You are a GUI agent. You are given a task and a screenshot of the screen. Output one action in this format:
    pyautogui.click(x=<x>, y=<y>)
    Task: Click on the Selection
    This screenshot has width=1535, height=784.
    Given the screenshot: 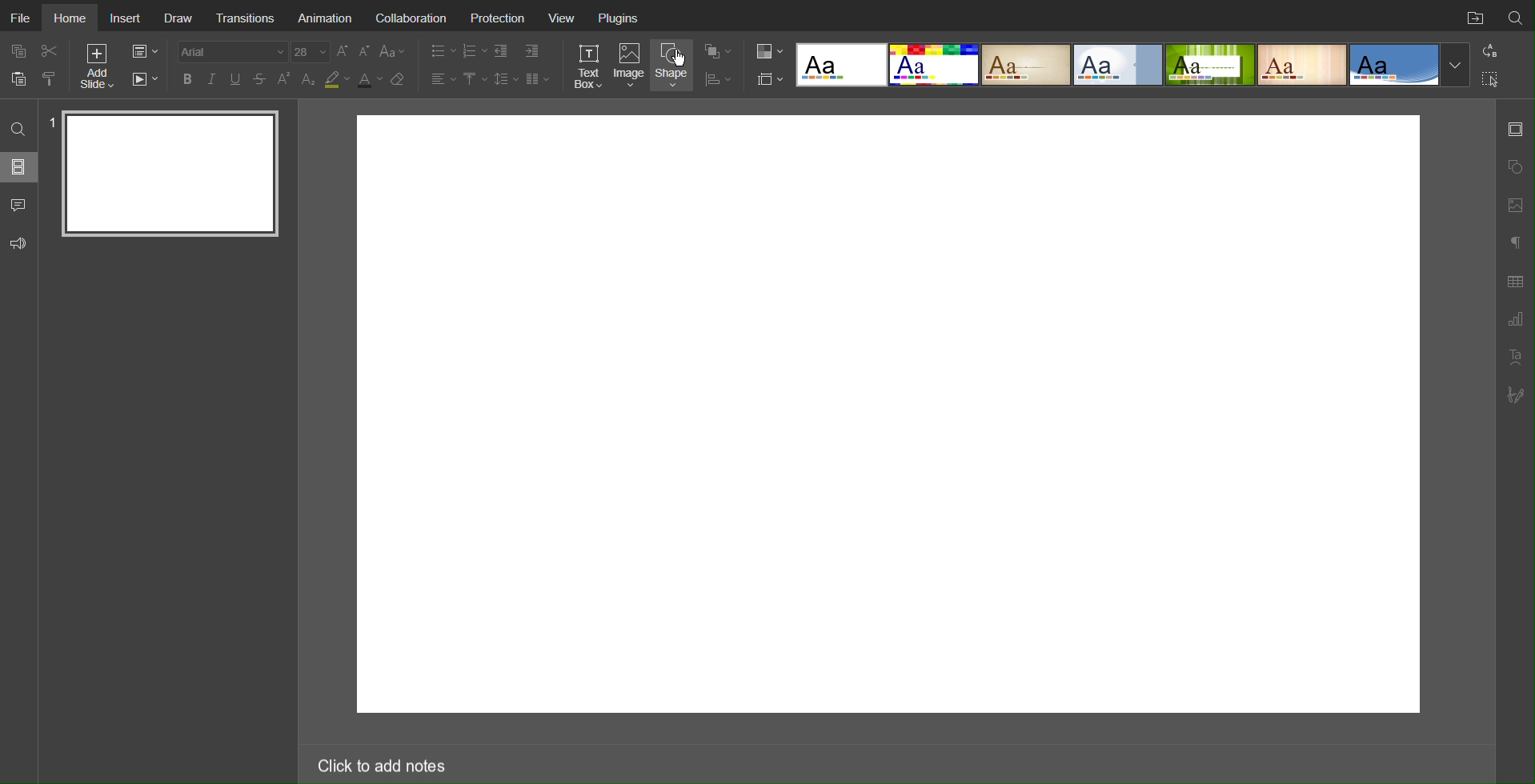 What is the action you would take?
    pyautogui.click(x=1491, y=78)
    